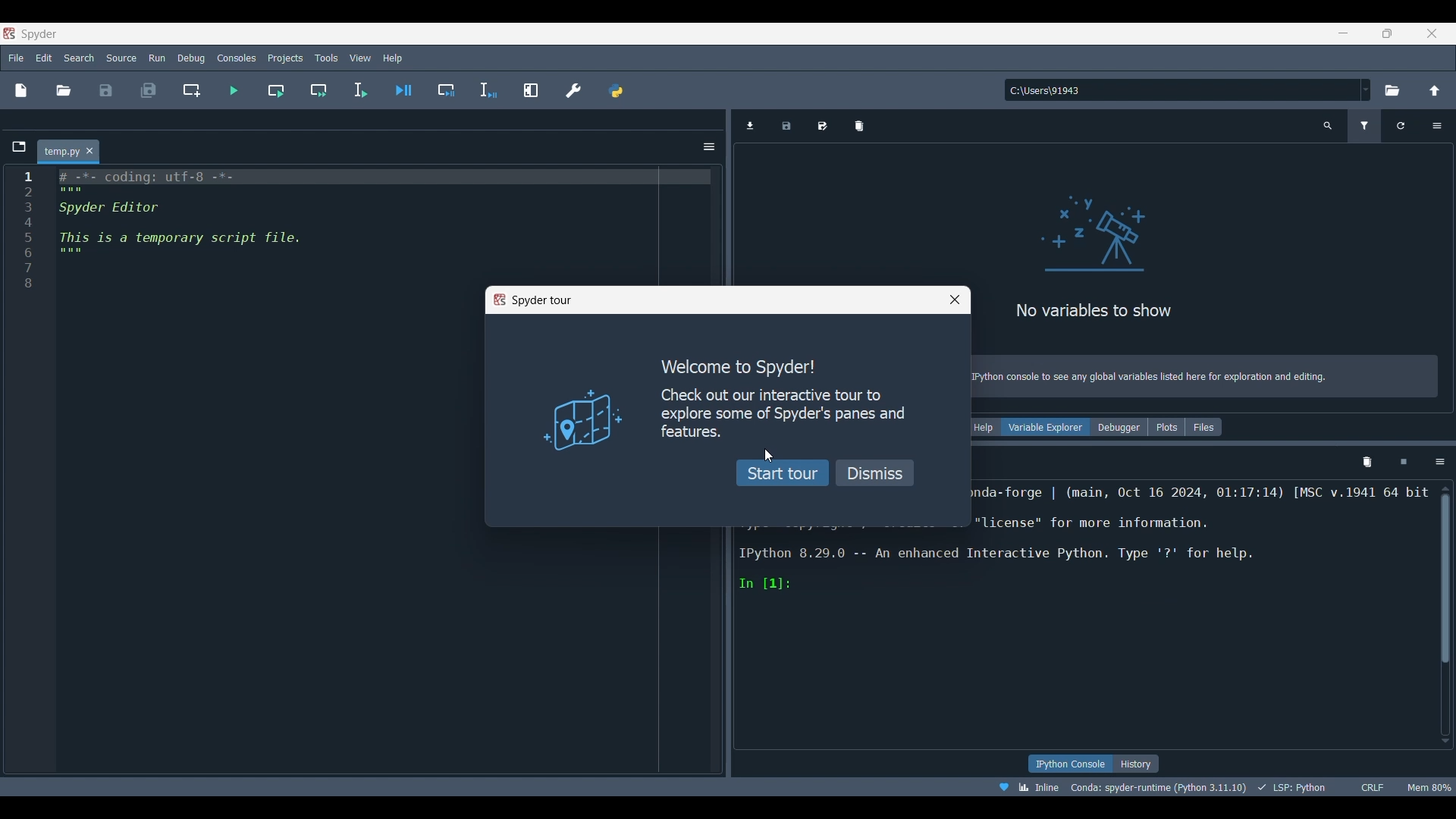  Describe the element at coordinates (403, 90) in the screenshot. I see `Debug file` at that location.